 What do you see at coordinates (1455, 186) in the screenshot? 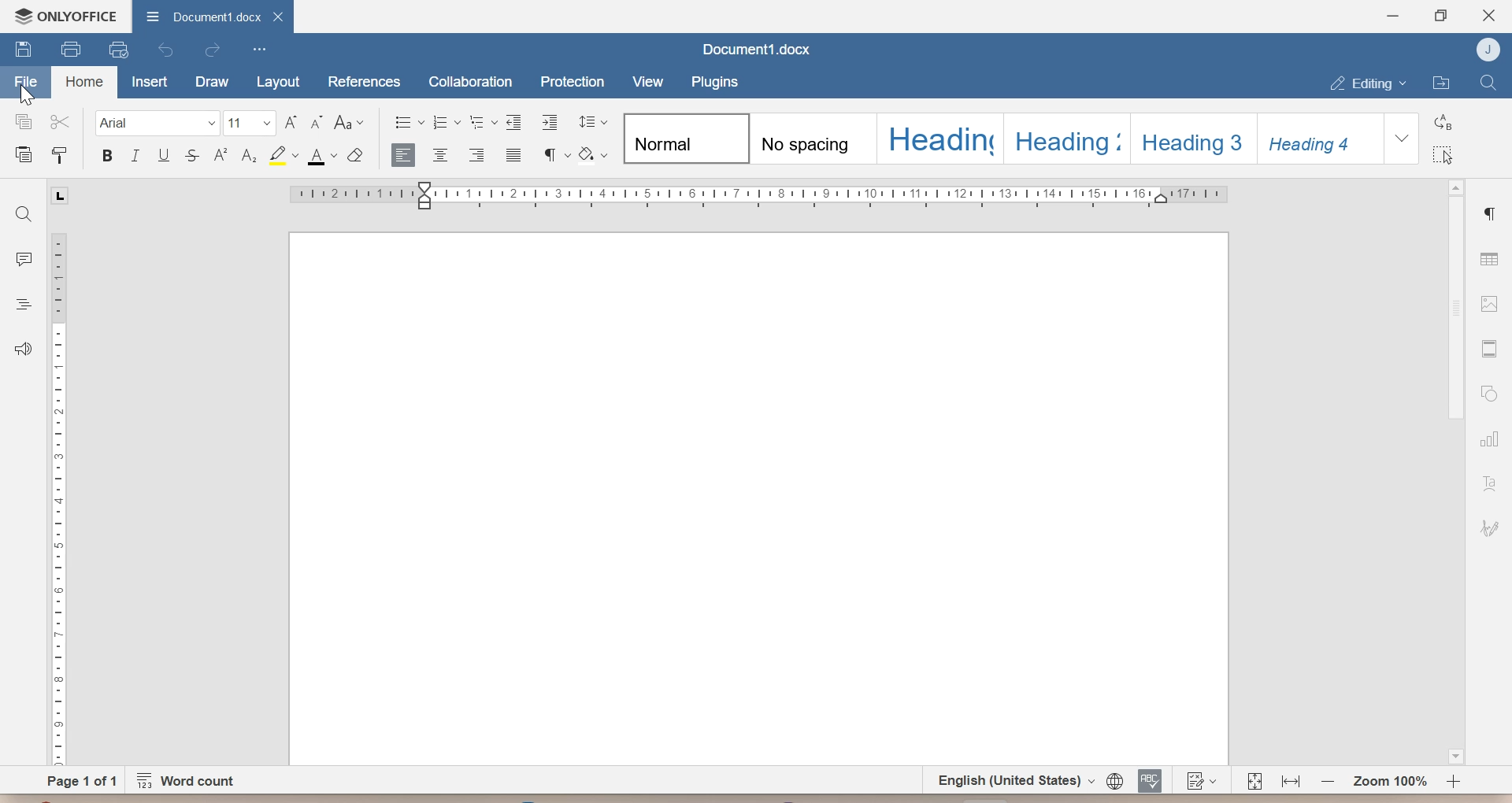
I see `Scroll up` at bounding box center [1455, 186].